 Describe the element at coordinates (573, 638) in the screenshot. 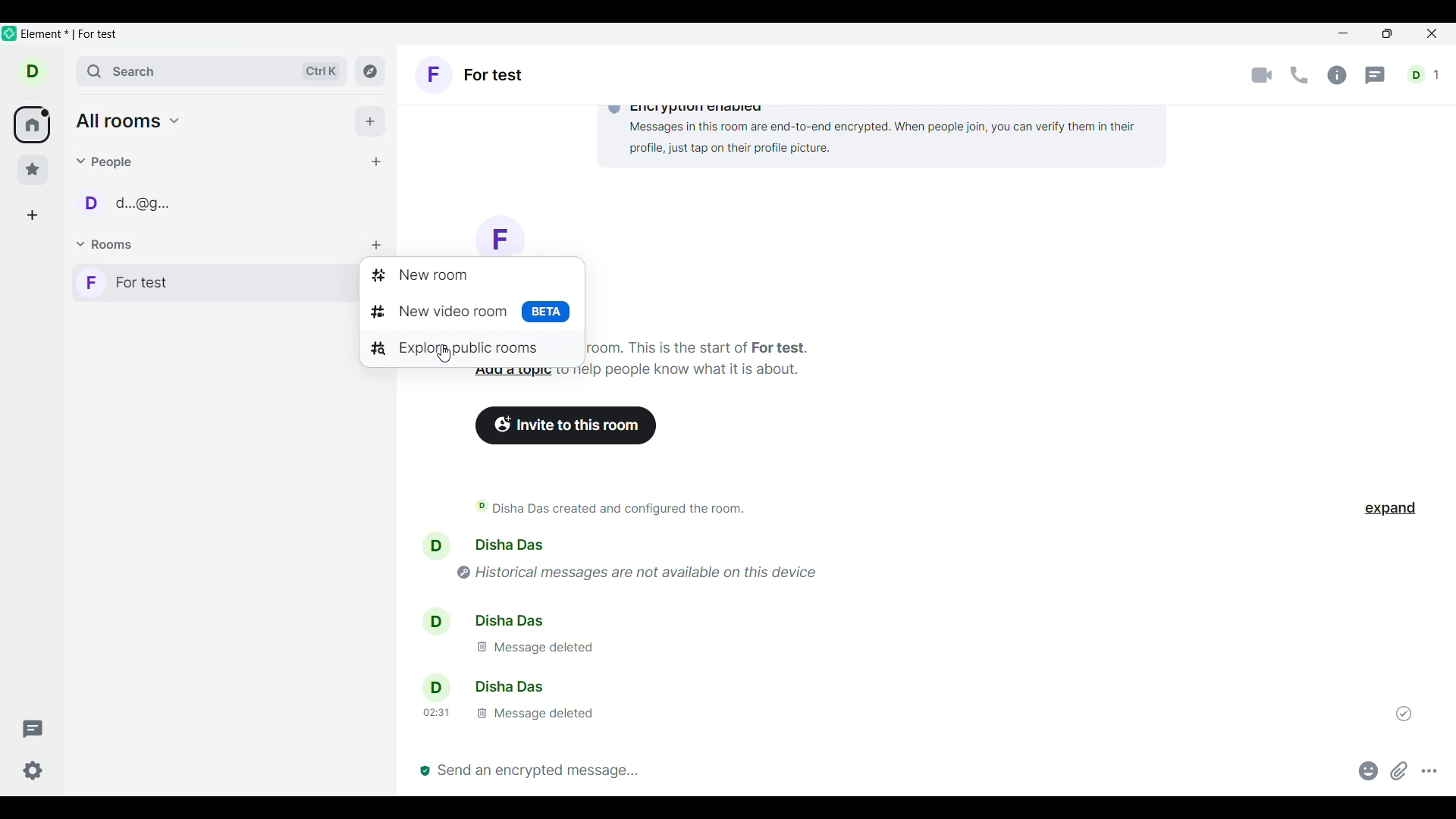

I see `Disha Das, Message deleted` at that location.